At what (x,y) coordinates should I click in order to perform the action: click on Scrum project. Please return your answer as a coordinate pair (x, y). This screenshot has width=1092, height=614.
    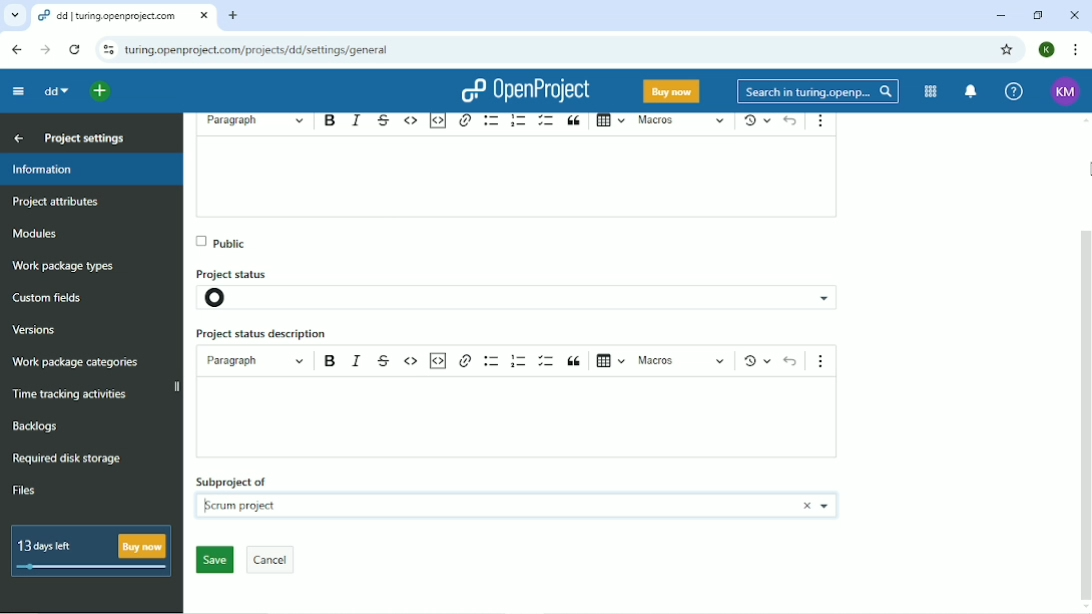
    Looking at the image, I should click on (243, 505).